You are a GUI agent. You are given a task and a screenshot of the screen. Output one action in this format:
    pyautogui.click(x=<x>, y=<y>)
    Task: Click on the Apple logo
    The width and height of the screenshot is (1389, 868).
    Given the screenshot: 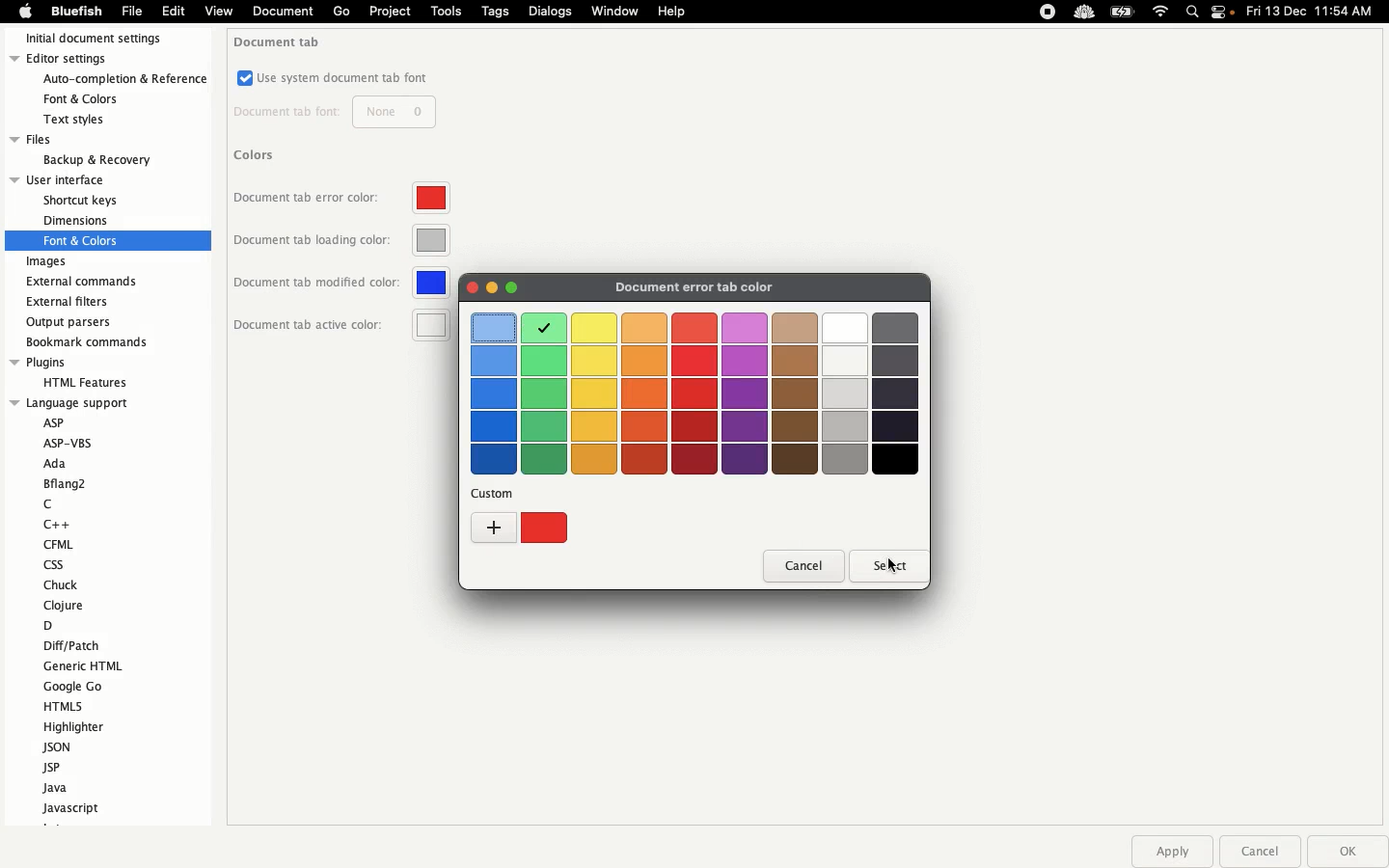 What is the action you would take?
    pyautogui.click(x=25, y=11)
    